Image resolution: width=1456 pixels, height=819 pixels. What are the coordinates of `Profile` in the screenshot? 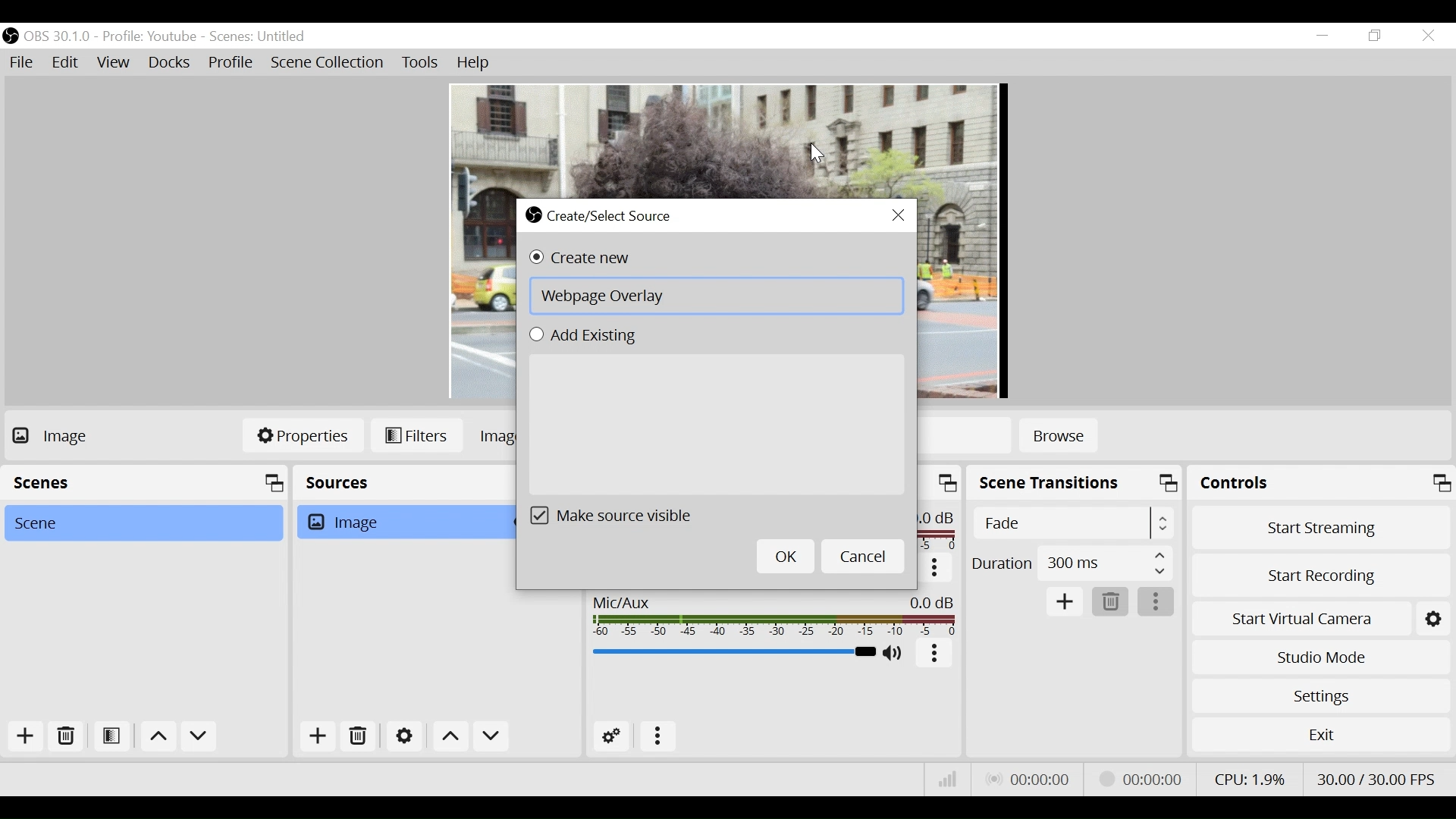 It's located at (234, 64).